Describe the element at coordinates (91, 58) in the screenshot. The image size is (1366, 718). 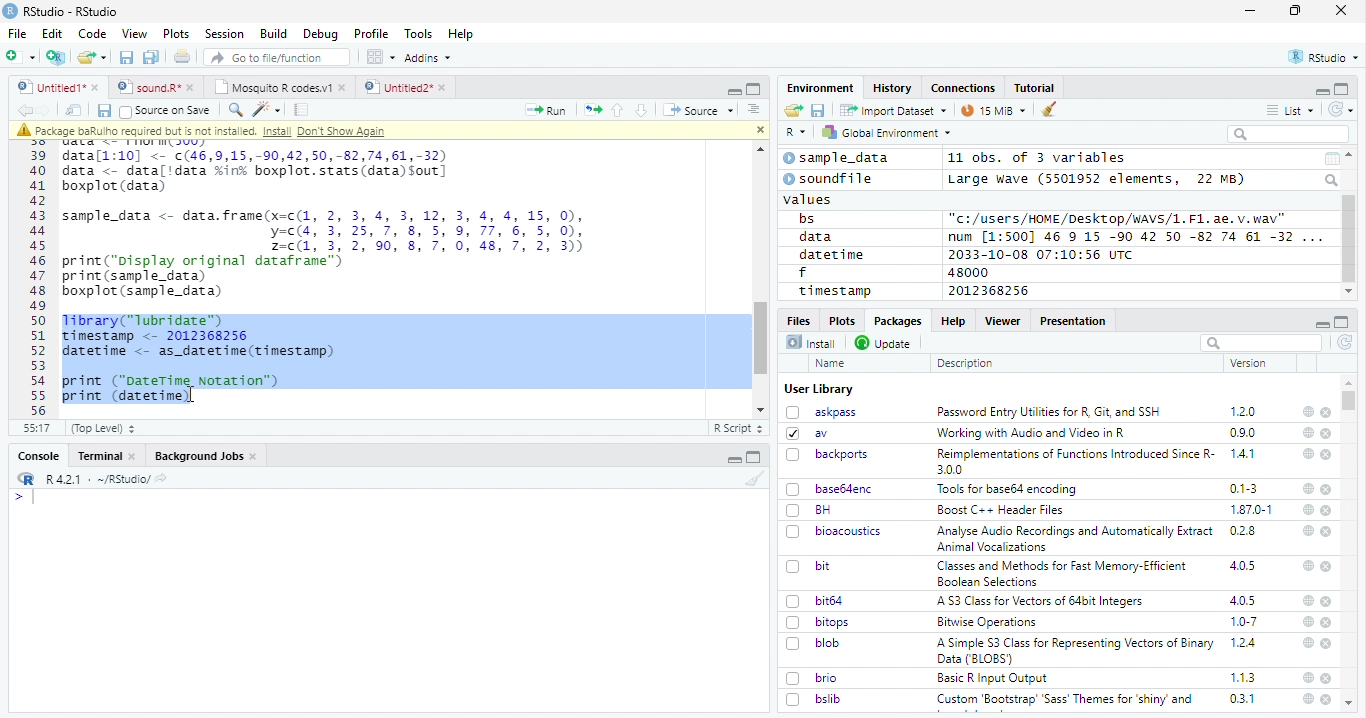
I see `open an existing file` at that location.